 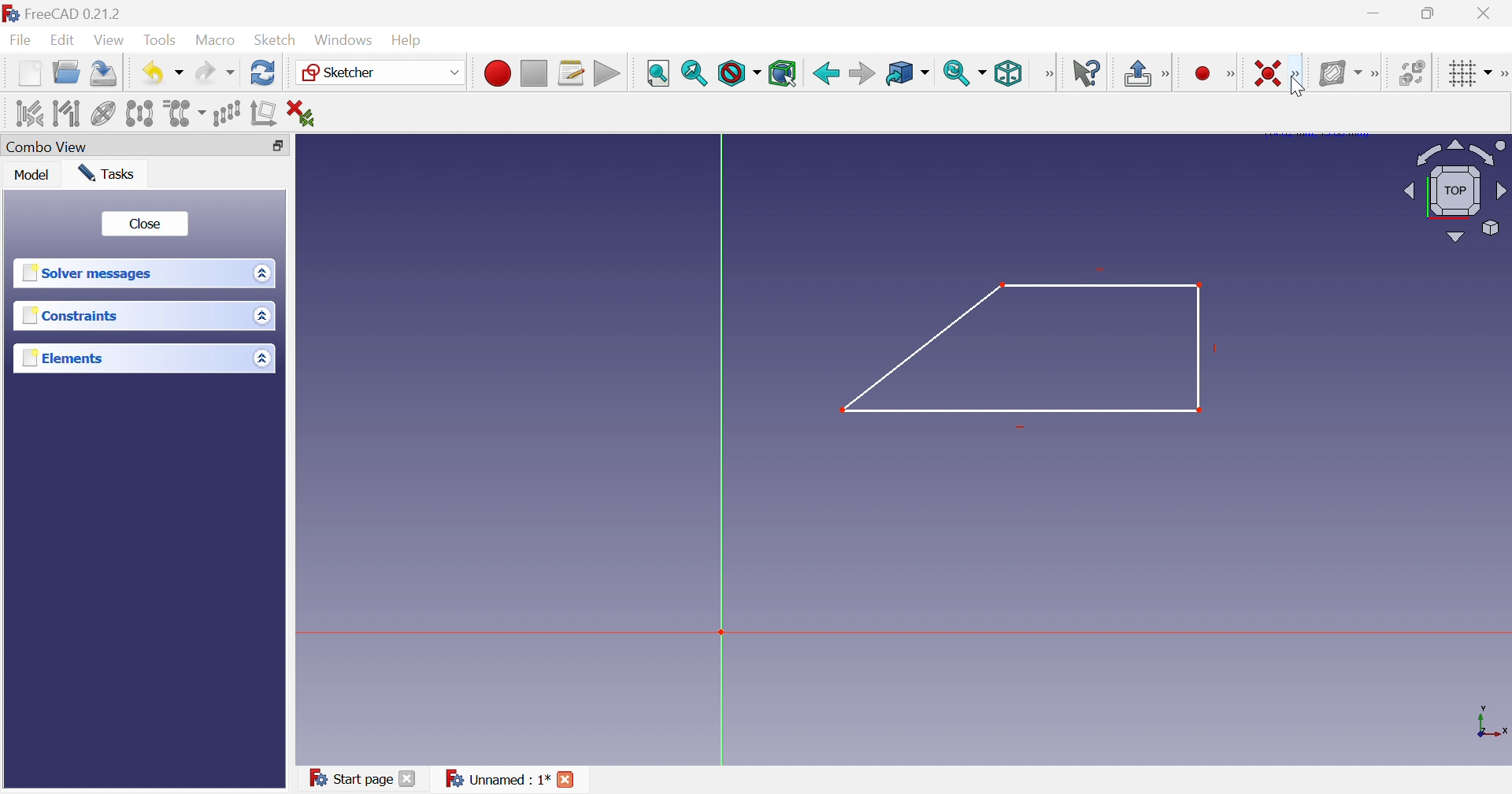 What do you see at coordinates (69, 75) in the screenshot?
I see `Open` at bounding box center [69, 75].